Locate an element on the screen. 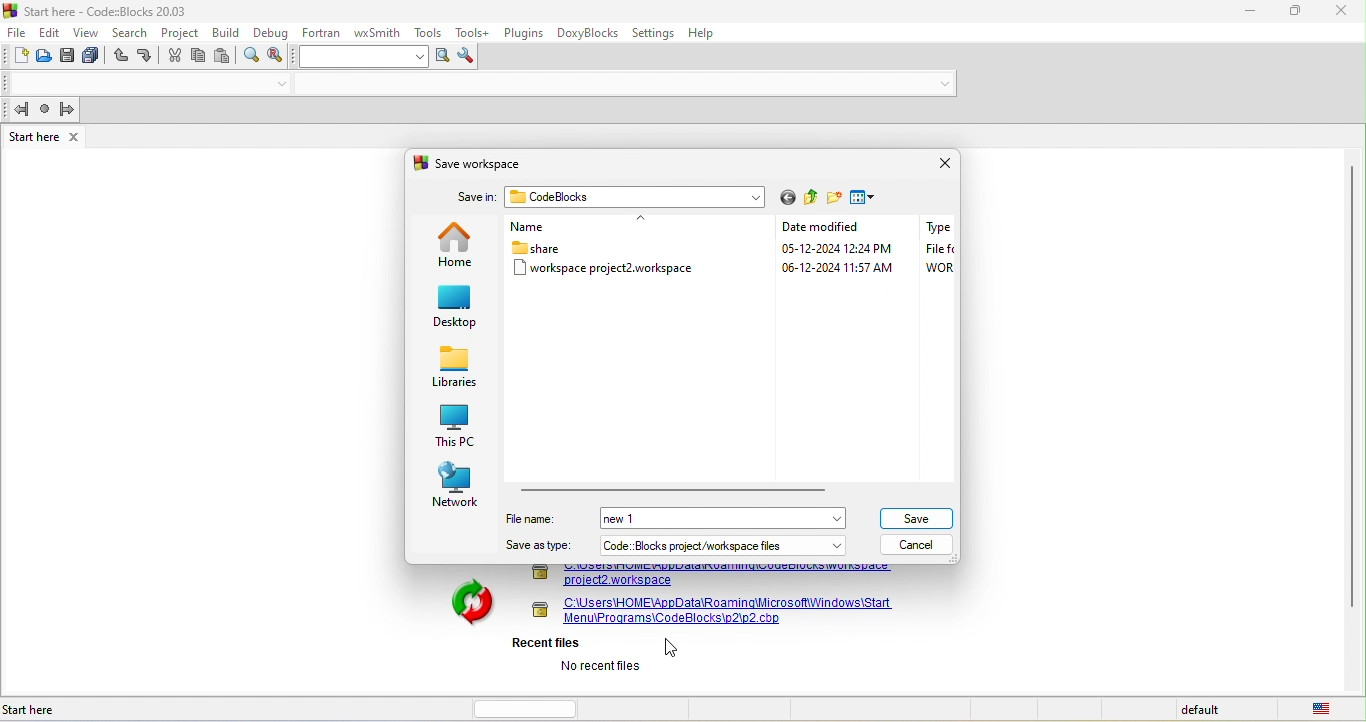 The height and width of the screenshot is (722, 1366). new is located at coordinates (17, 57).